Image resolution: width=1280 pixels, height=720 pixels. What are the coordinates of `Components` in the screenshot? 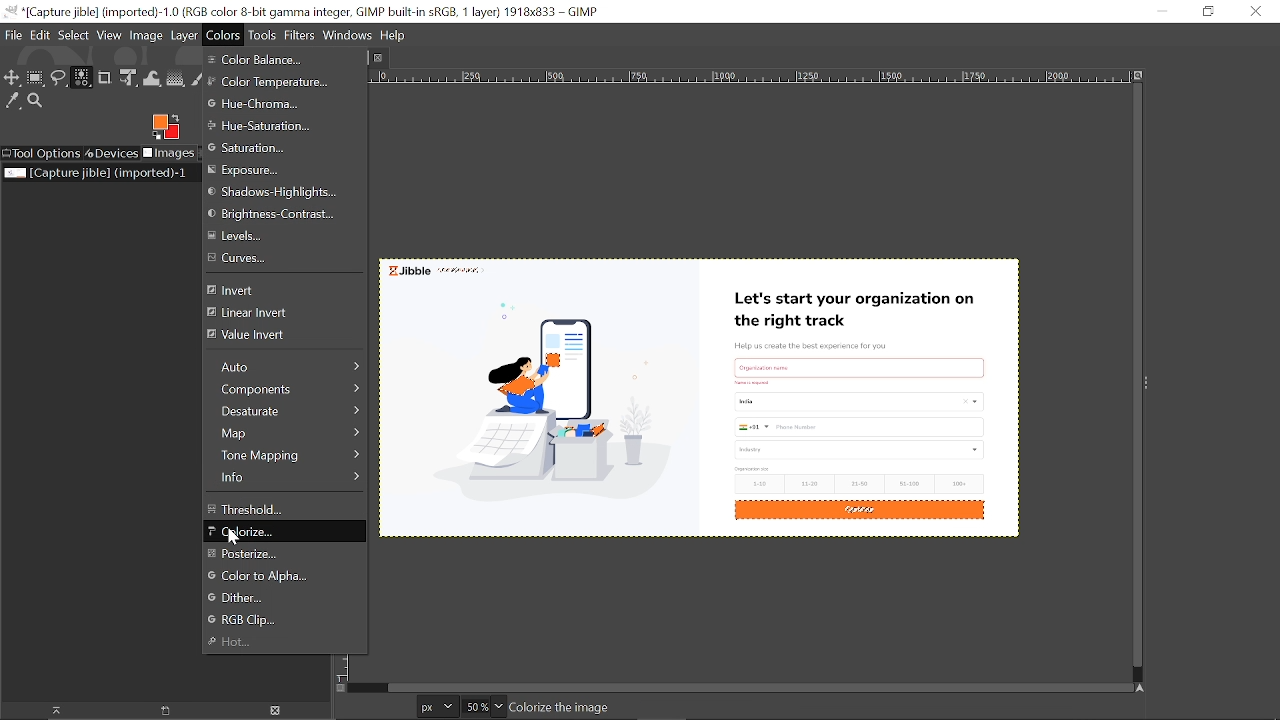 It's located at (286, 391).